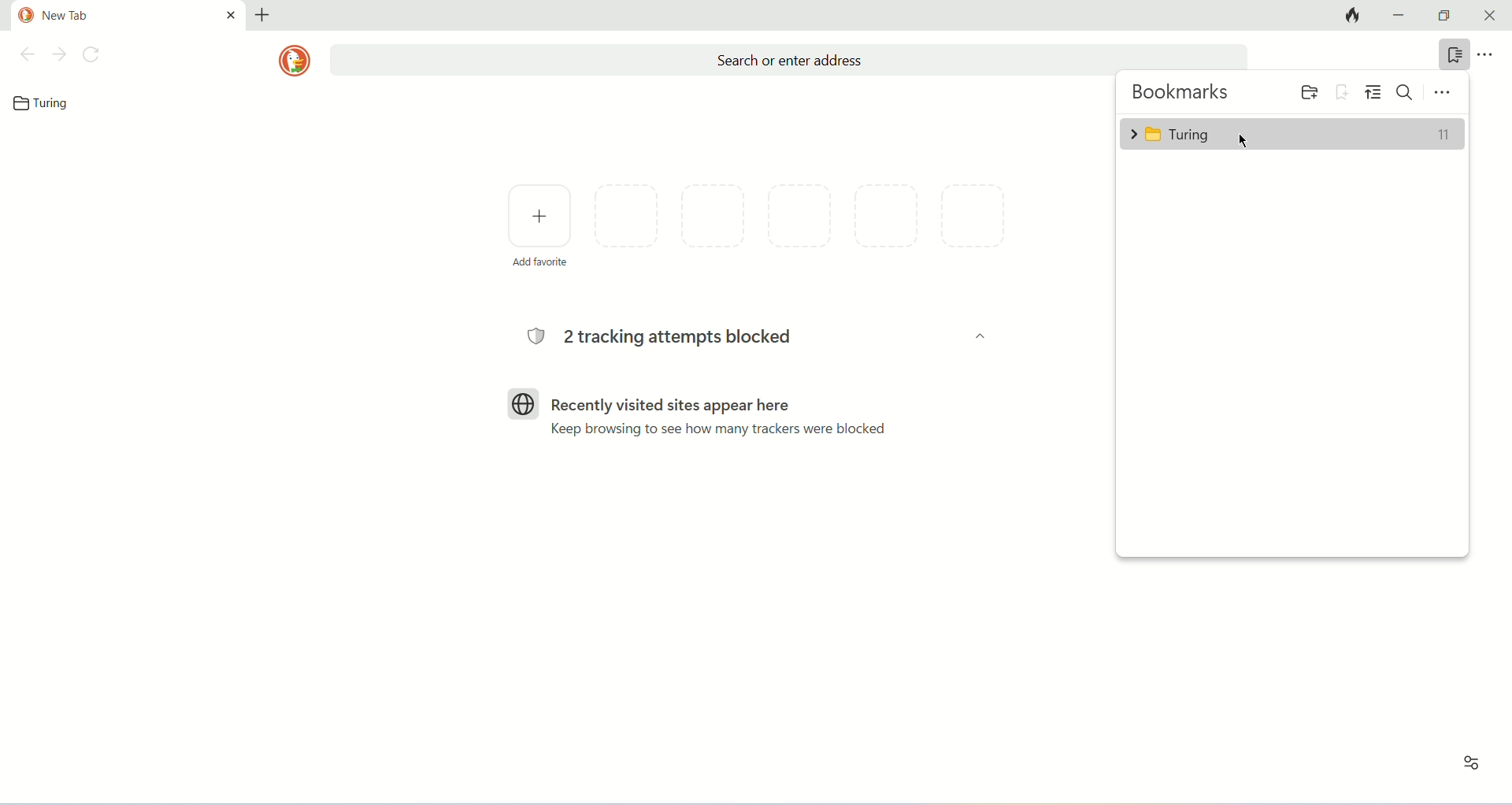 The image size is (1512, 805). Describe the element at coordinates (1447, 16) in the screenshot. I see `maximize` at that location.